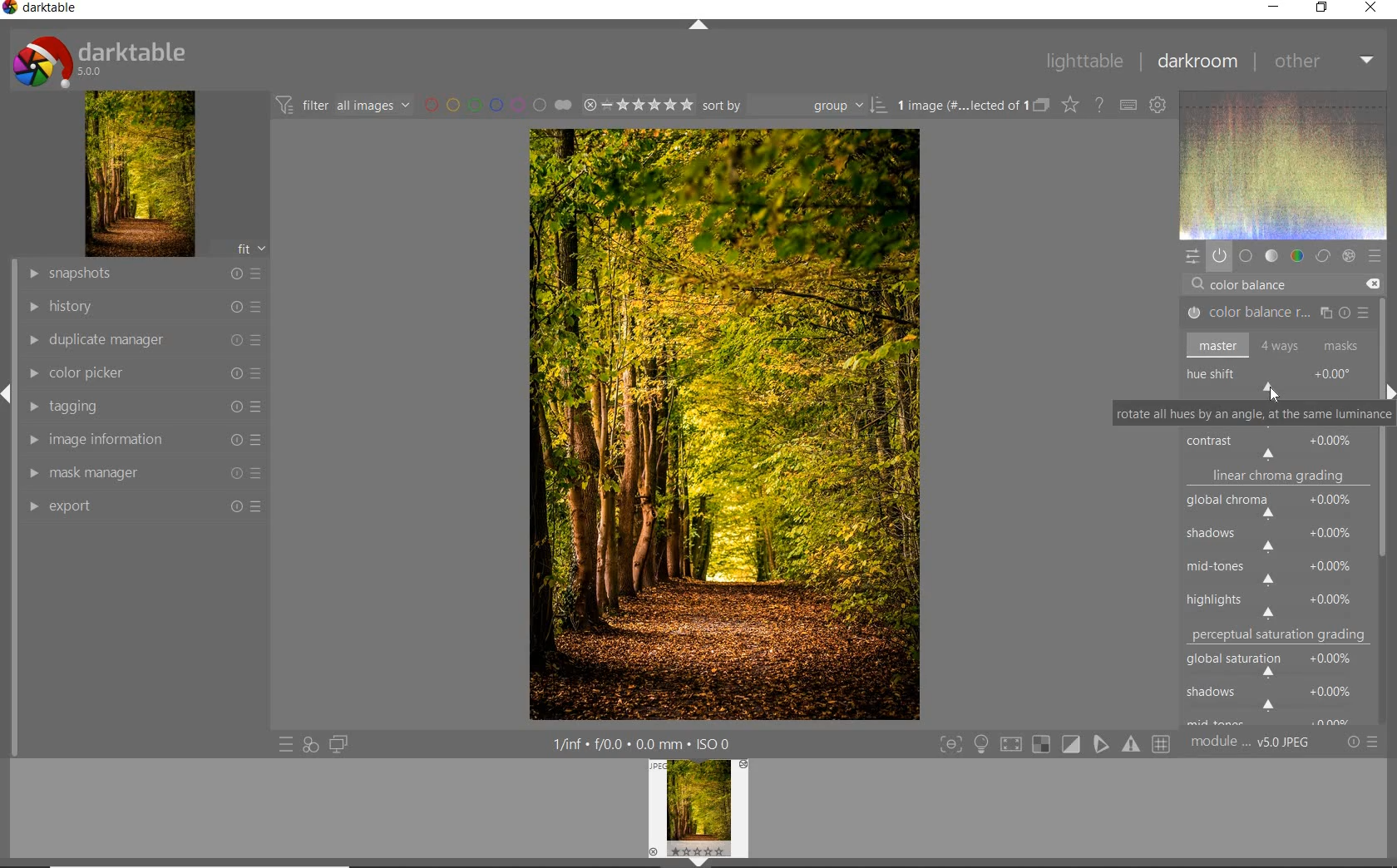 This screenshot has height=868, width=1397. What do you see at coordinates (1051, 744) in the screenshot?
I see `toggle modes` at bounding box center [1051, 744].